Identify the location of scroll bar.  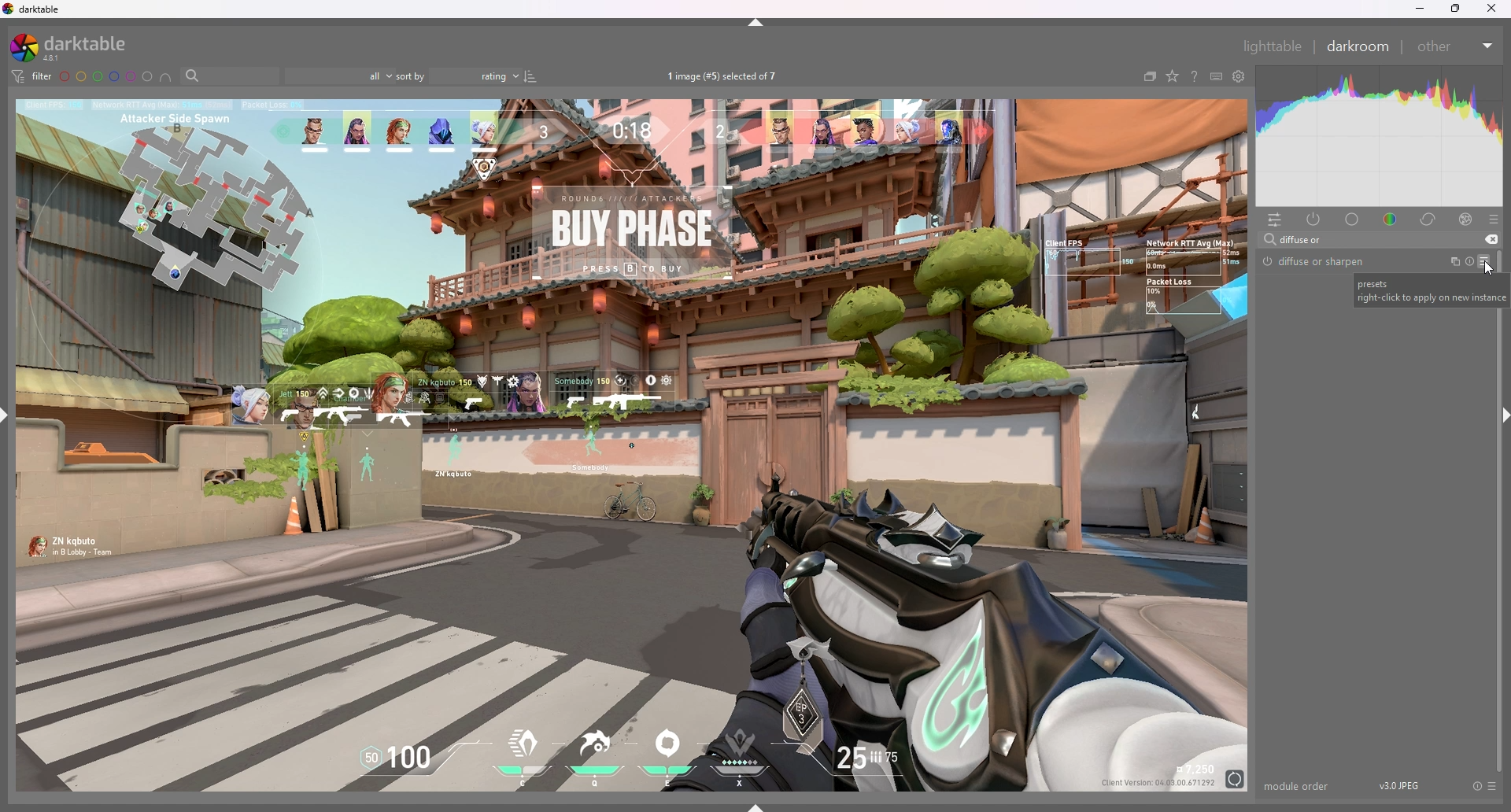
(1498, 510).